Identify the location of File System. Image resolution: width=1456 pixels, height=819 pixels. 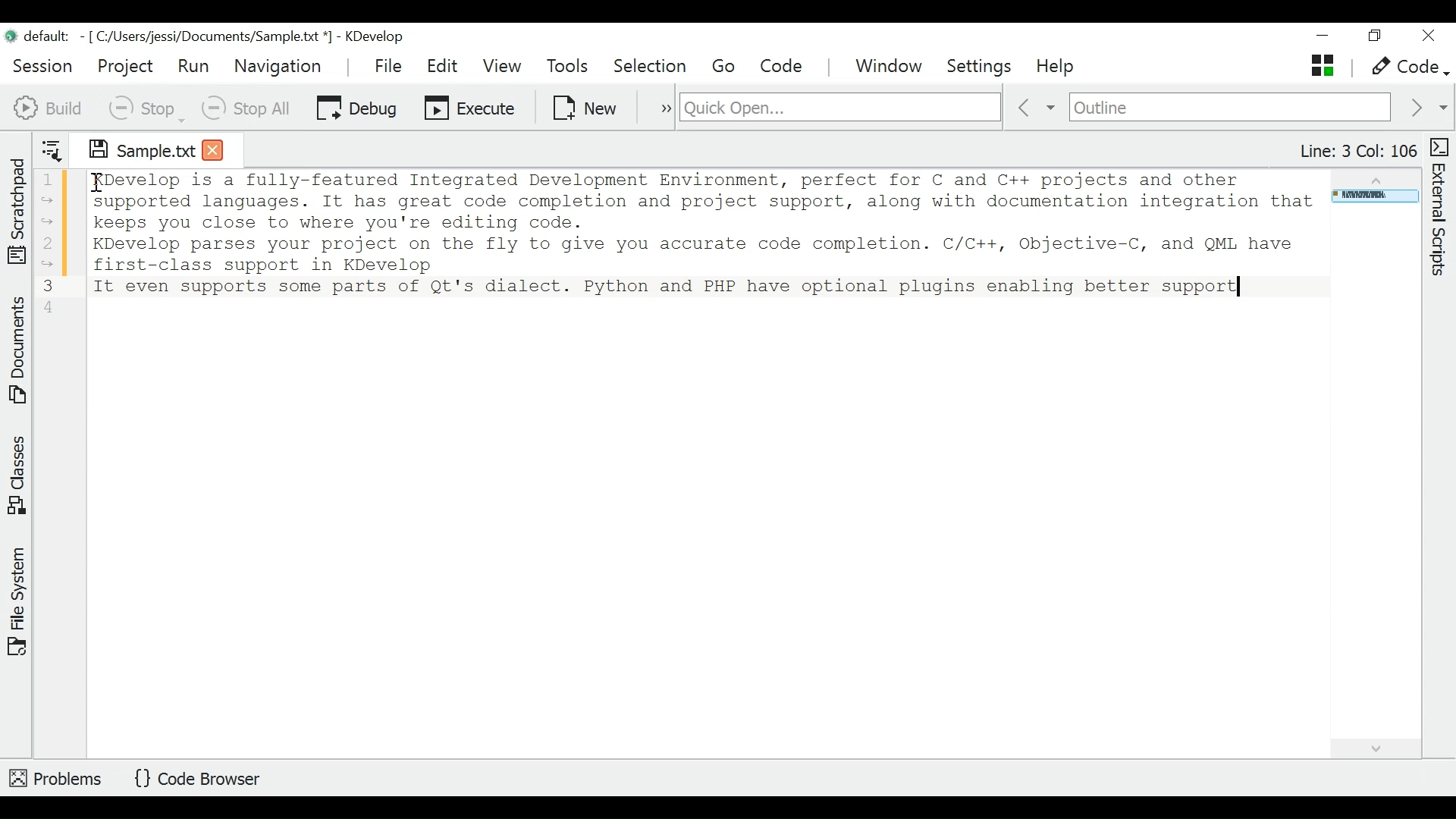
(17, 600).